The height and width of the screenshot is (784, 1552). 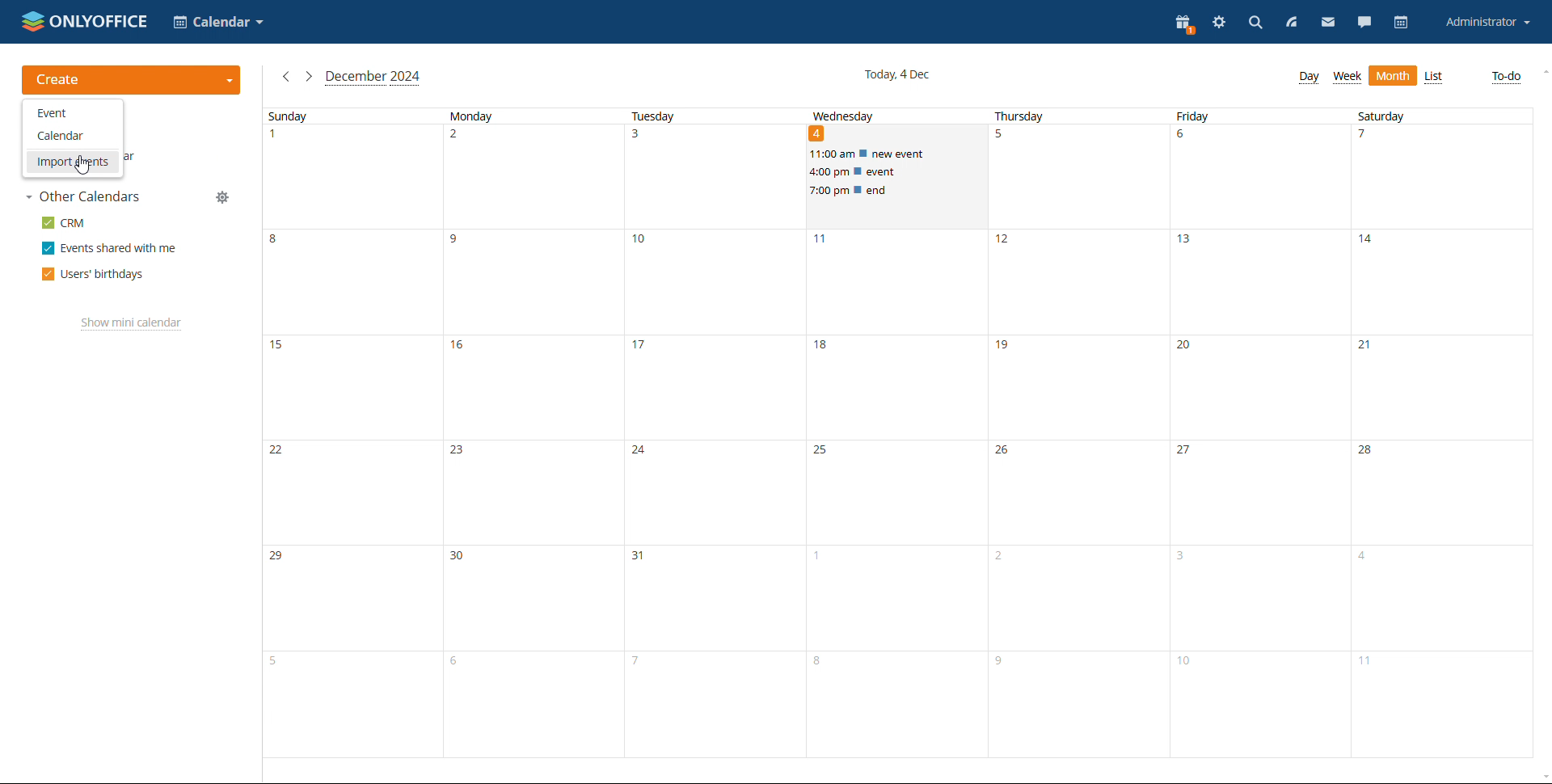 What do you see at coordinates (1263, 433) in the screenshot?
I see `friday` at bounding box center [1263, 433].